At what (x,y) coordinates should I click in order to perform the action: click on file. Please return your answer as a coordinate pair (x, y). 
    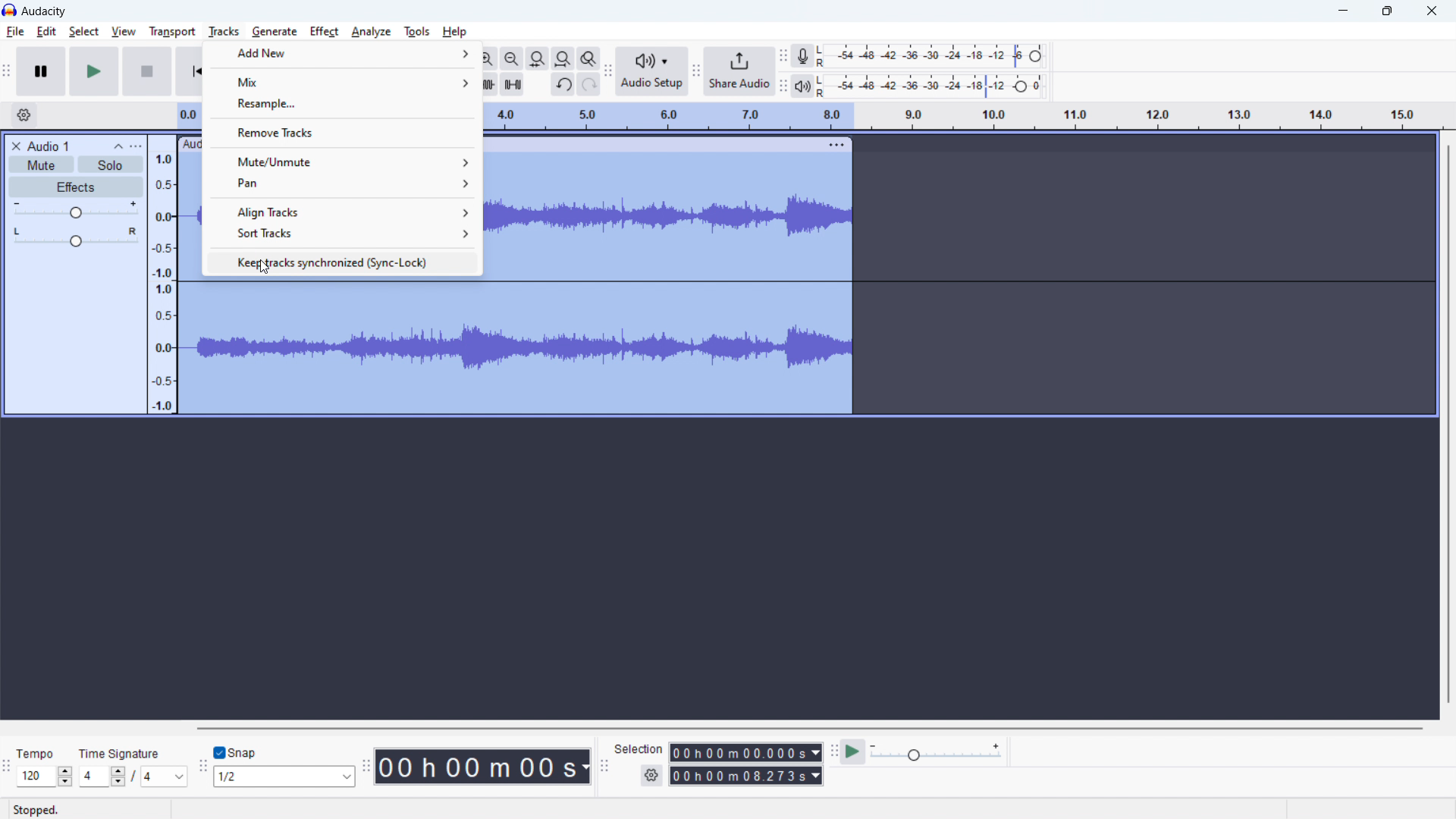
    Looking at the image, I should click on (14, 32).